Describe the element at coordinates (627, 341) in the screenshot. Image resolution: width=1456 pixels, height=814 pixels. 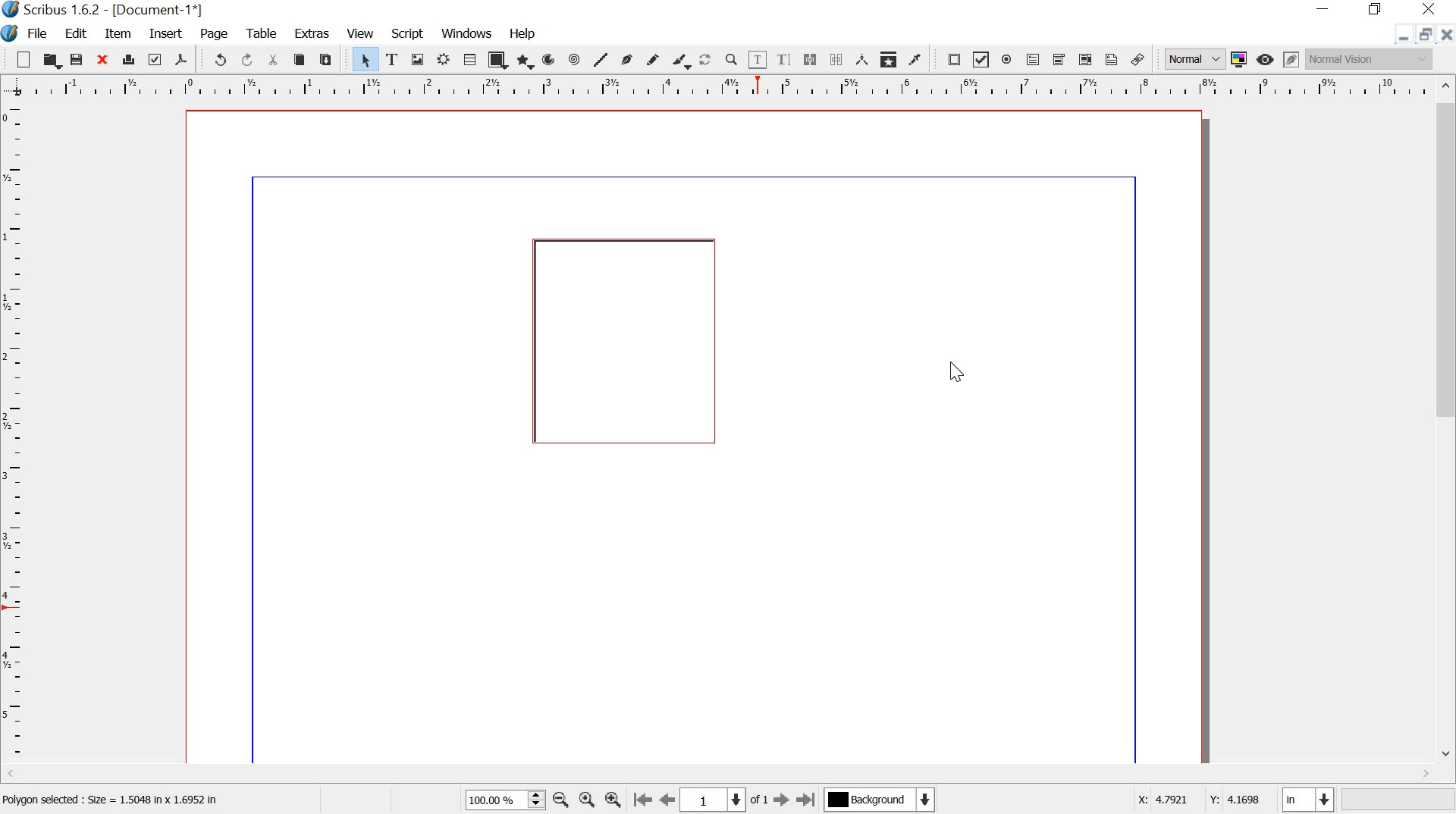
I see `object locked` at that location.